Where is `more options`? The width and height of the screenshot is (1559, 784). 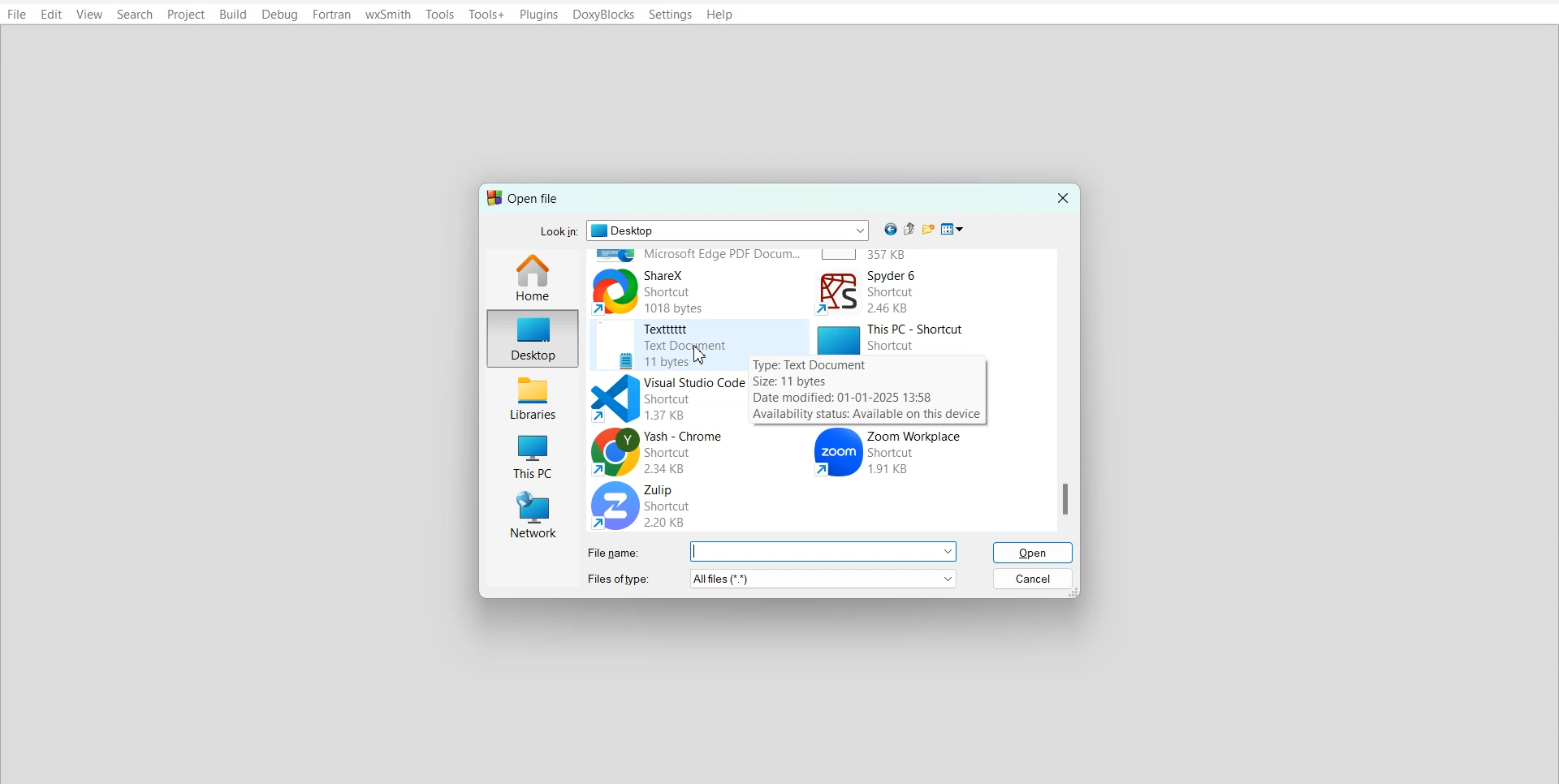
more options is located at coordinates (821, 579).